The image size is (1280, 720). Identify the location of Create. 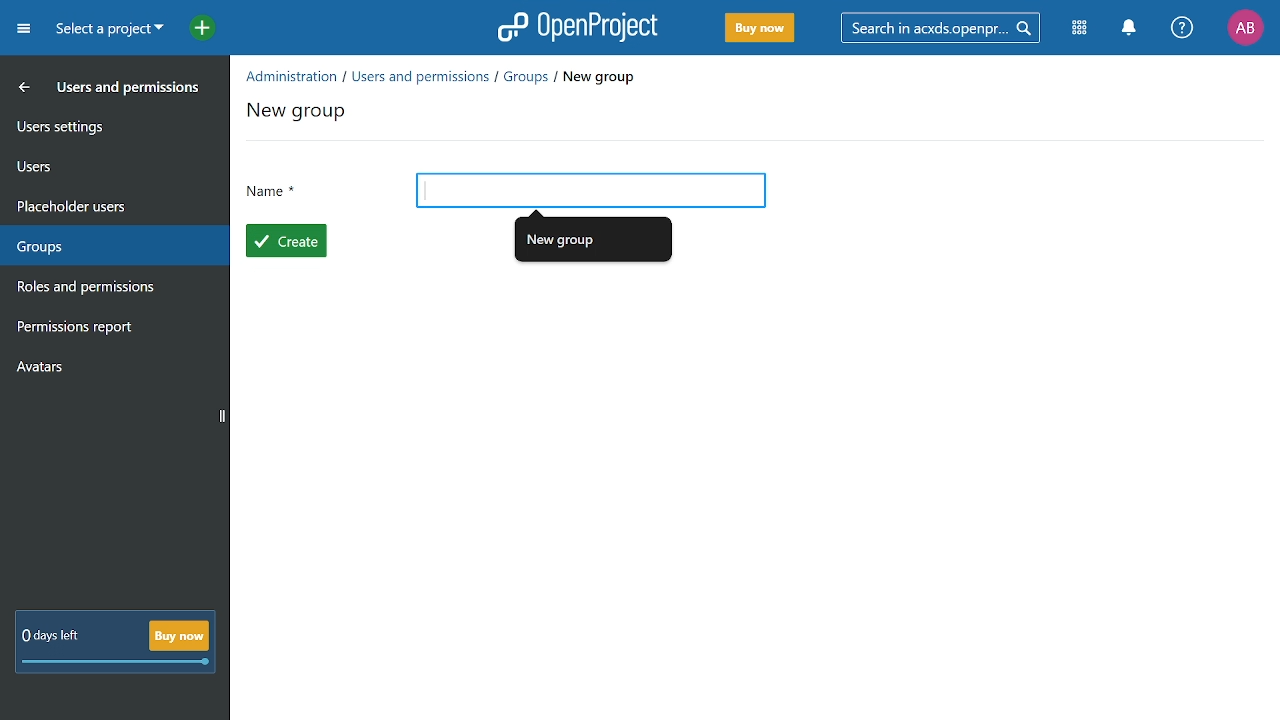
(286, 240).